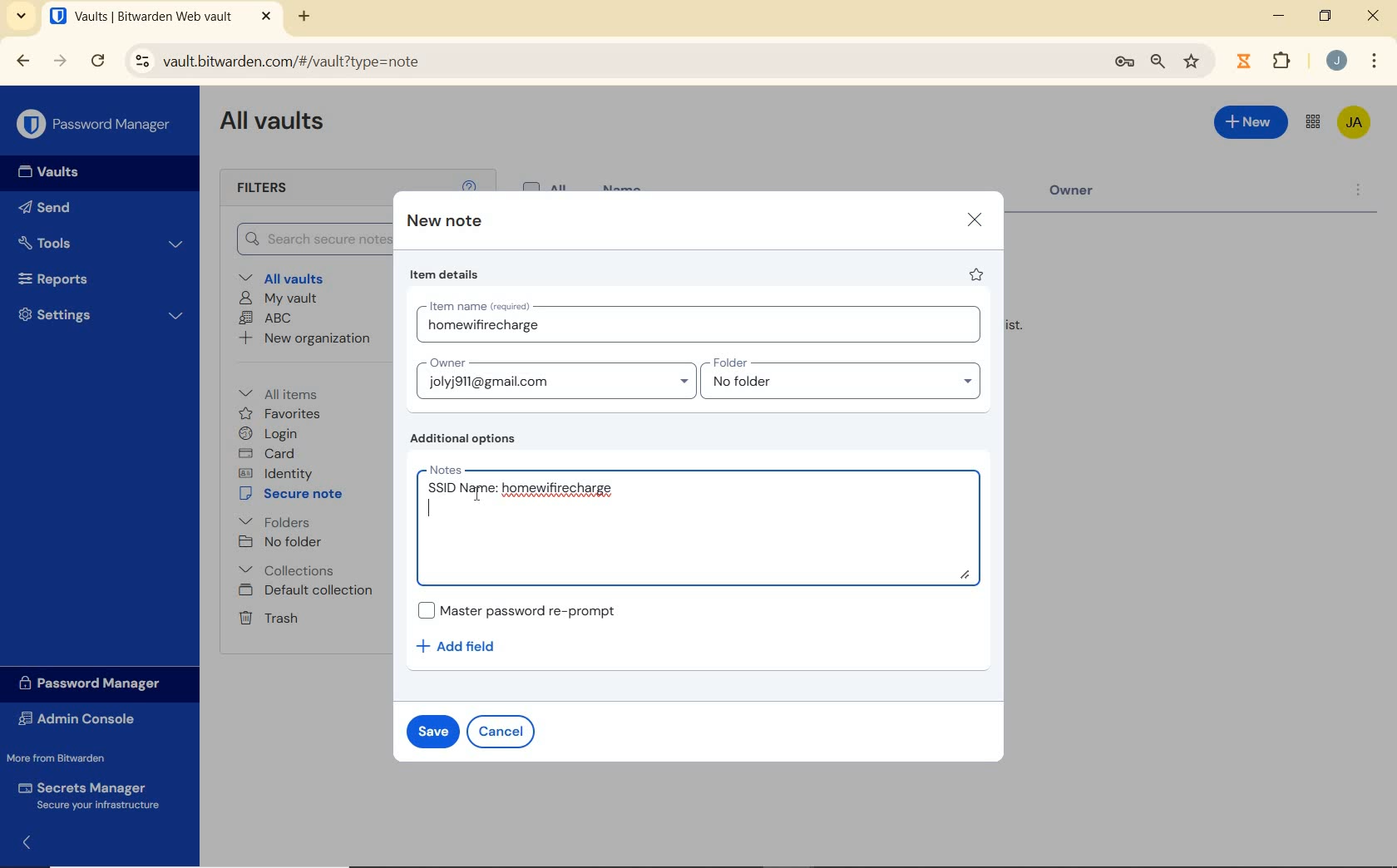 This screenshot has height=868, width=1397. I want to click on More from Bitwarden, so click(67, 757).